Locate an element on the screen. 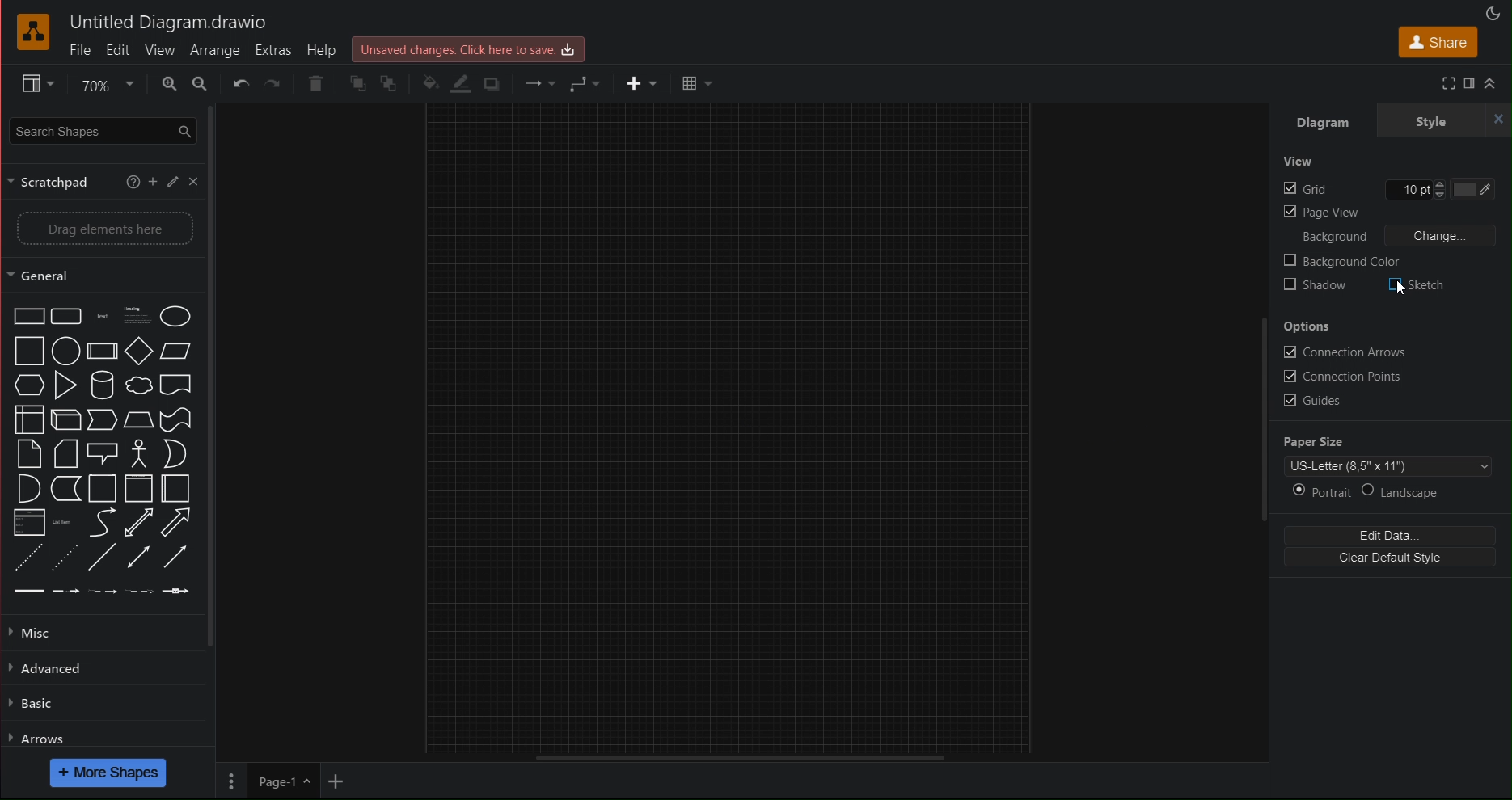  canvas is located at coordinates (728, 427).